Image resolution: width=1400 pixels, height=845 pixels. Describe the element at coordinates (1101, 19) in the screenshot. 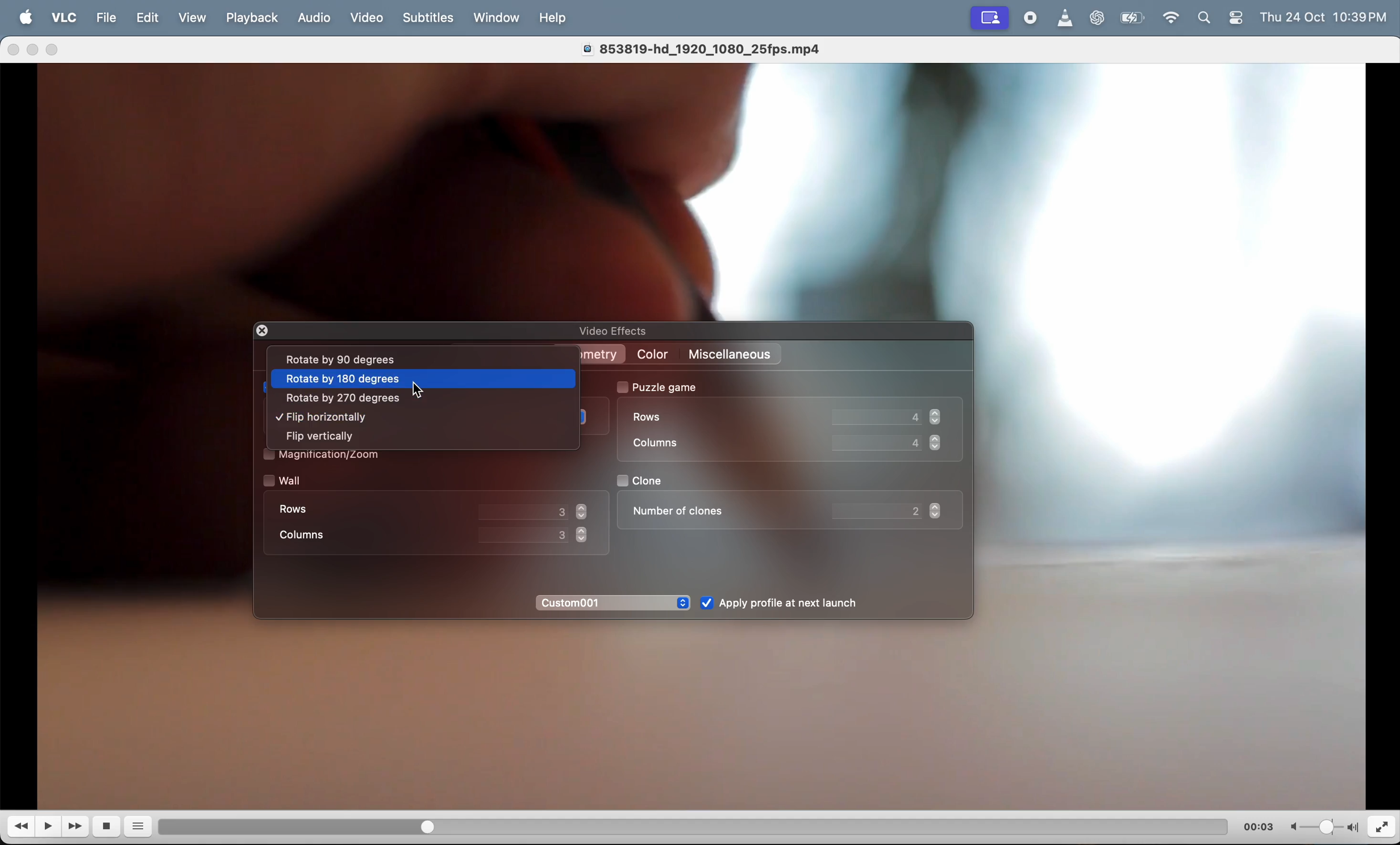

I see `chatgpt` at that location.